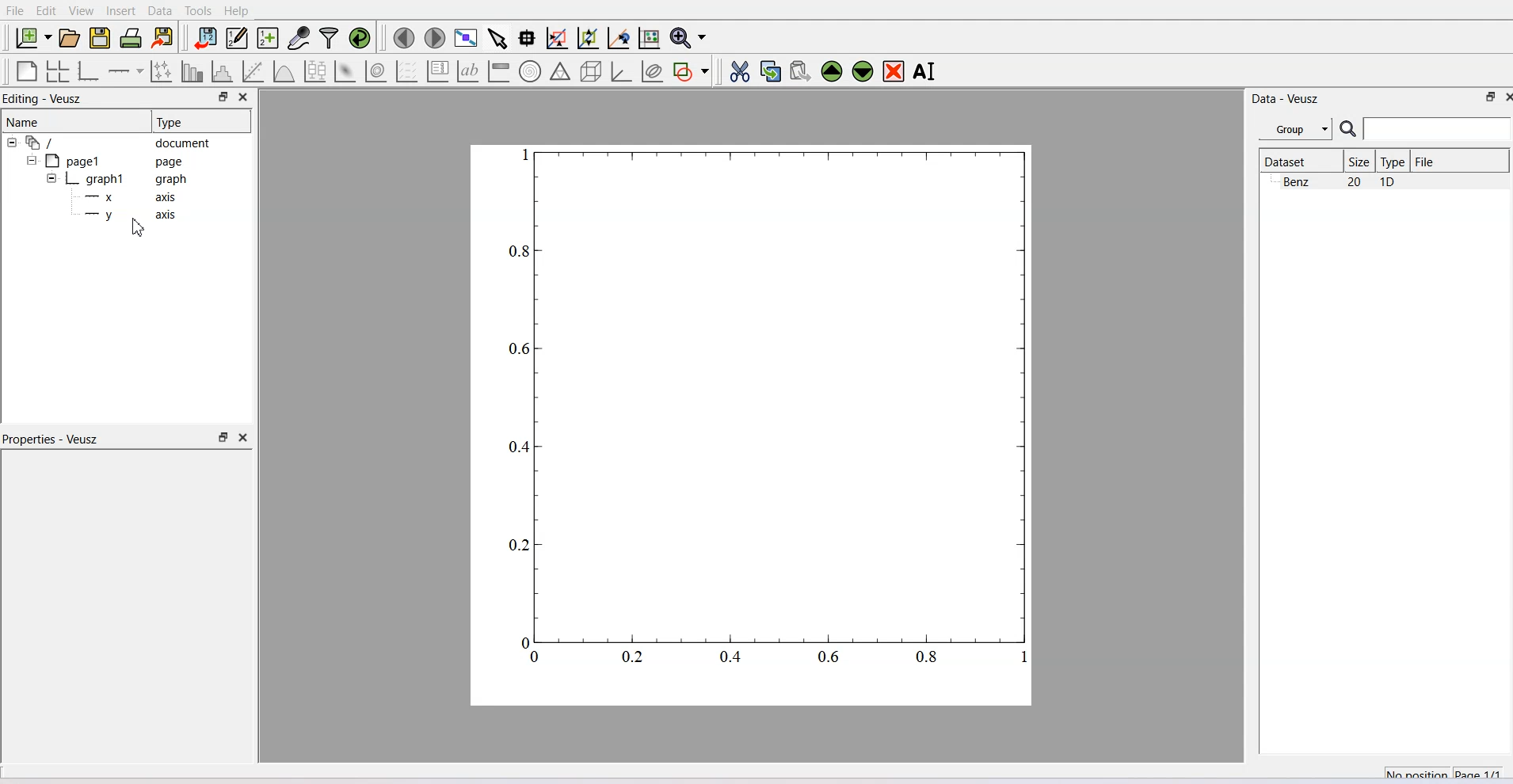 The width and height of the screenshot is (1513, 784). I want to click on Blank Page, so click(25, 71).